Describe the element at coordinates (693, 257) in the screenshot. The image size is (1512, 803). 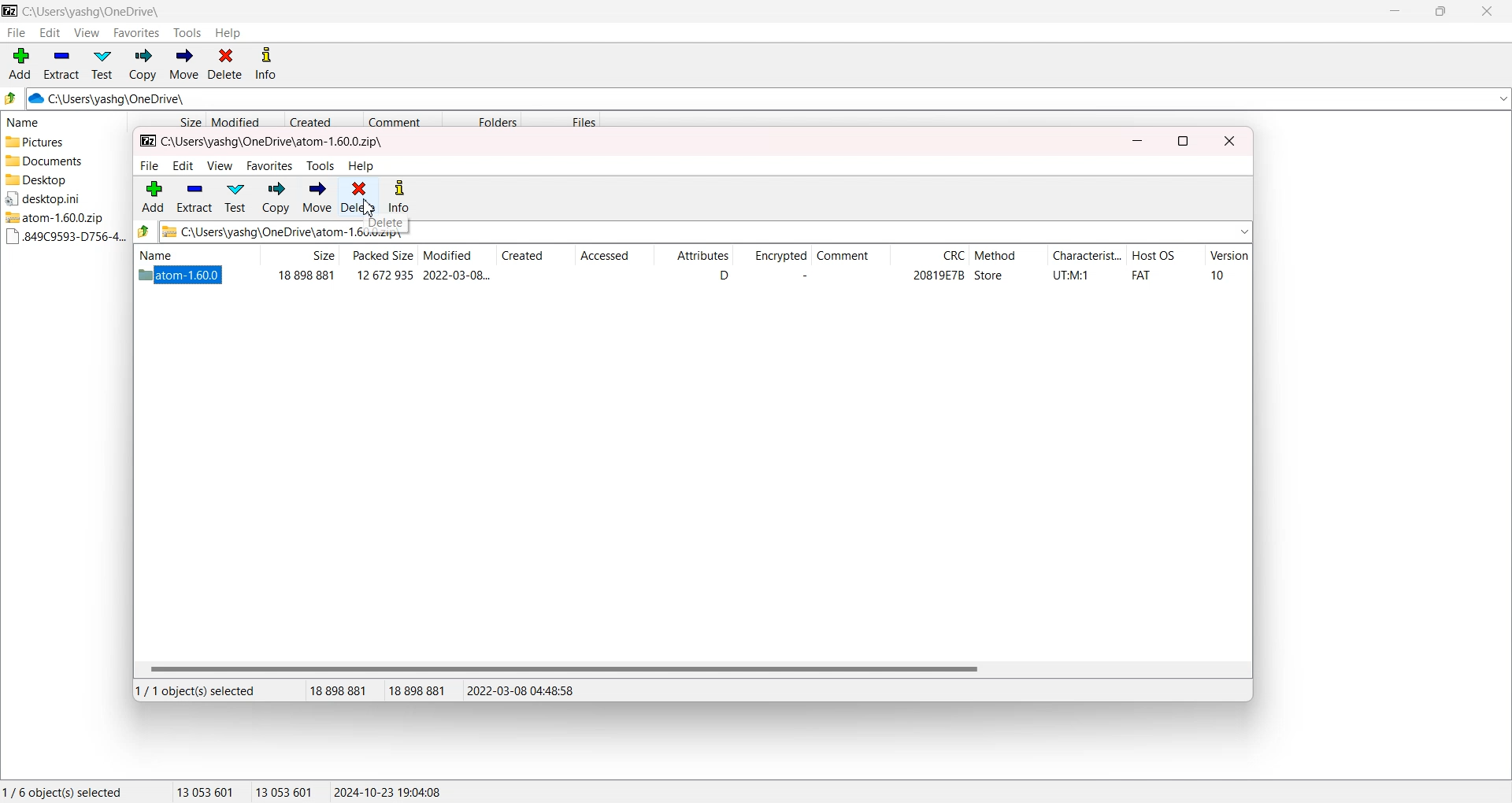
I see `Attributes` at that location.